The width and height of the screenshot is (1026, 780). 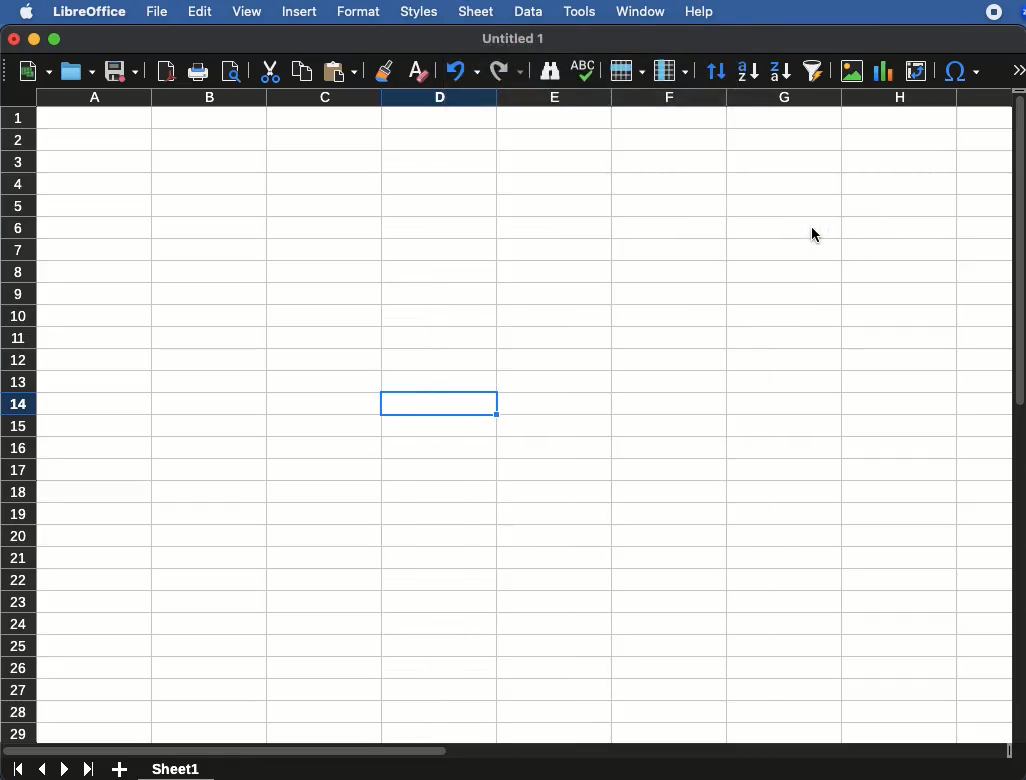 What do you see at coordinates (417, 68) in the screenshot?
I see `clear formatting` at bounding box center [417, 68].